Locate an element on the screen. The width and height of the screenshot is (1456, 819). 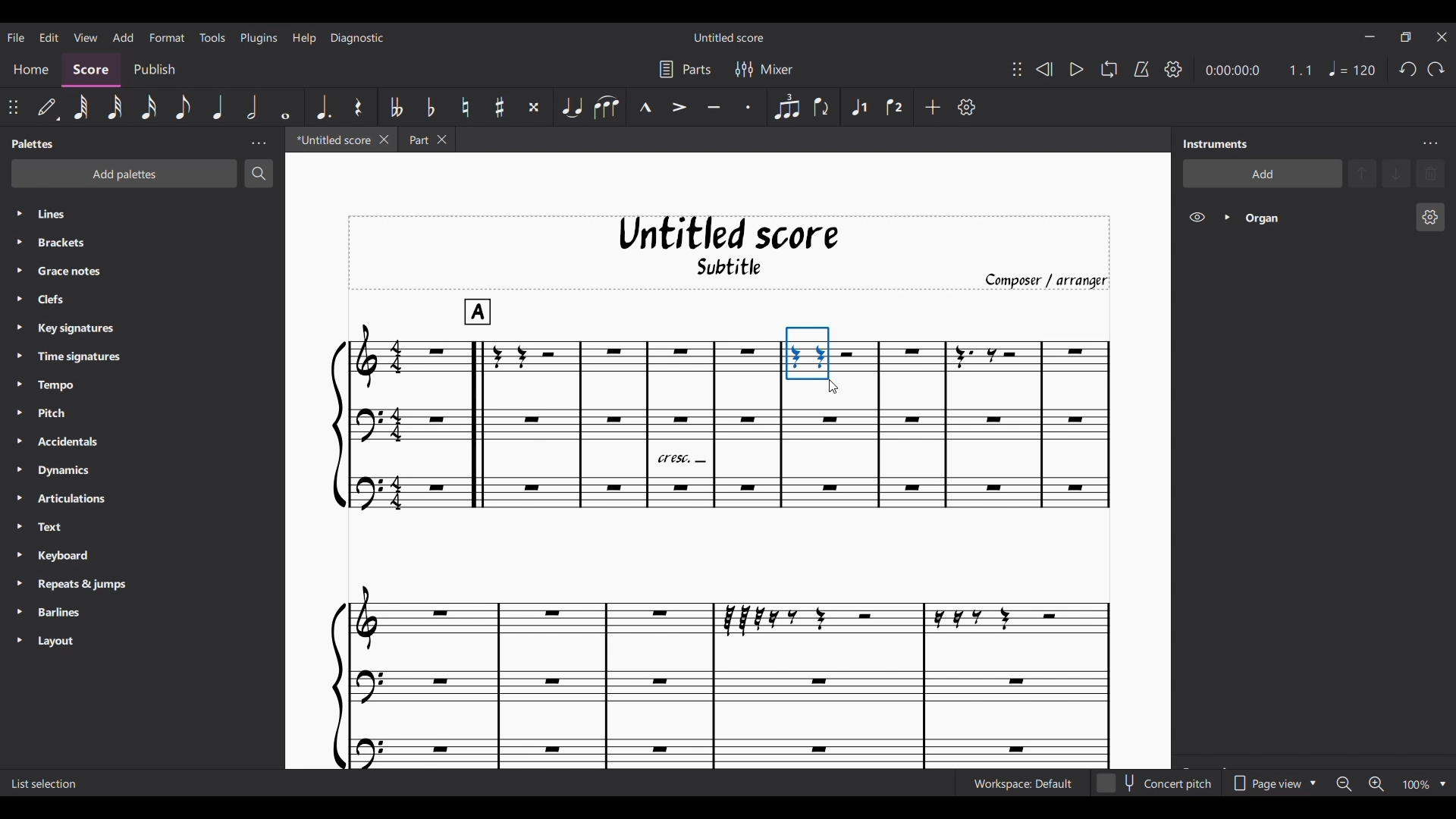
Playback settings is located at coordinates (1173, 69).